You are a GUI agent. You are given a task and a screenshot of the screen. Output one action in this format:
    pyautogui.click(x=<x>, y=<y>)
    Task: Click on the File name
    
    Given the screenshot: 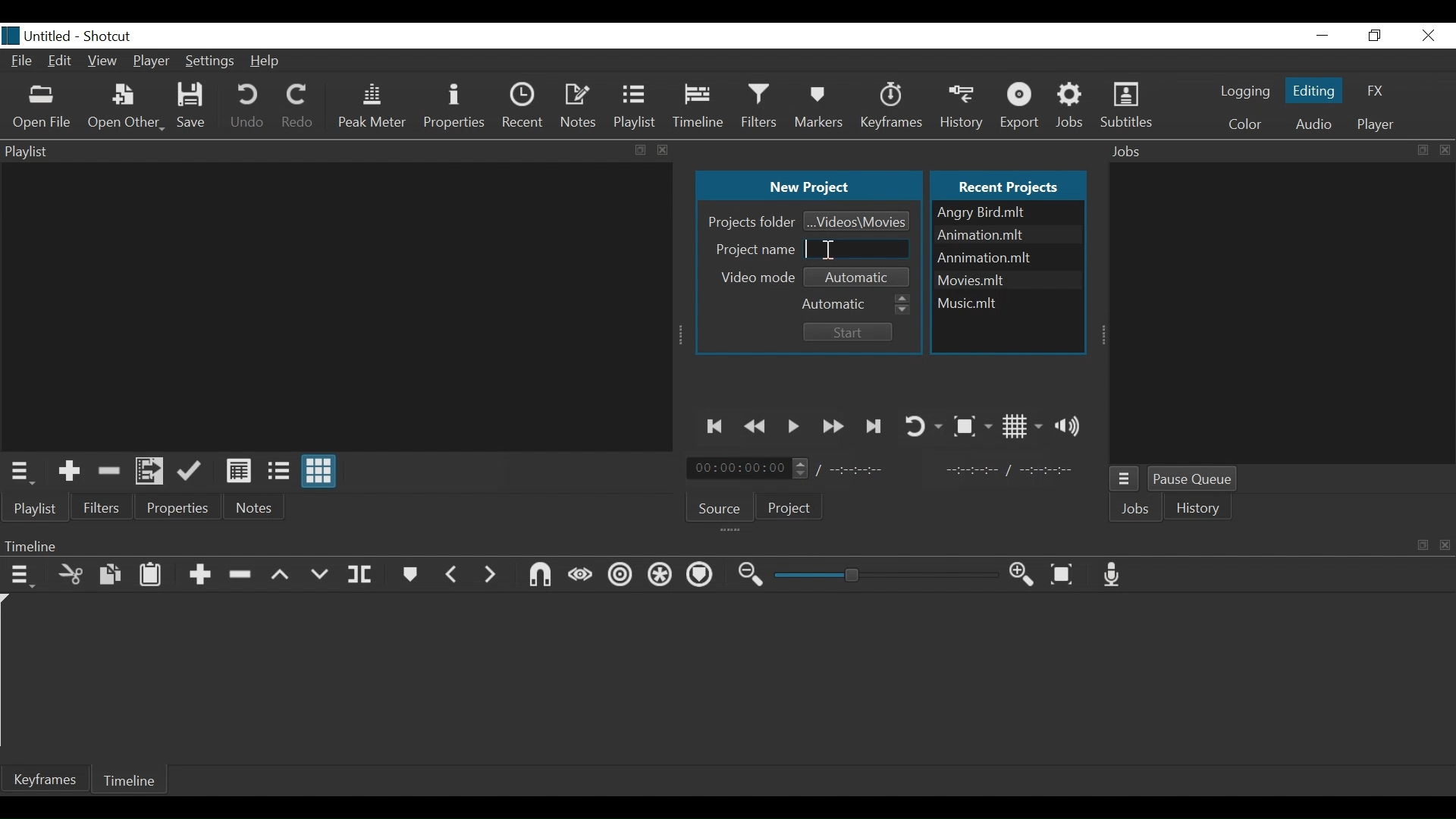 What is the action you would take?
    pyautogui.click(x=1008, y=278)
    